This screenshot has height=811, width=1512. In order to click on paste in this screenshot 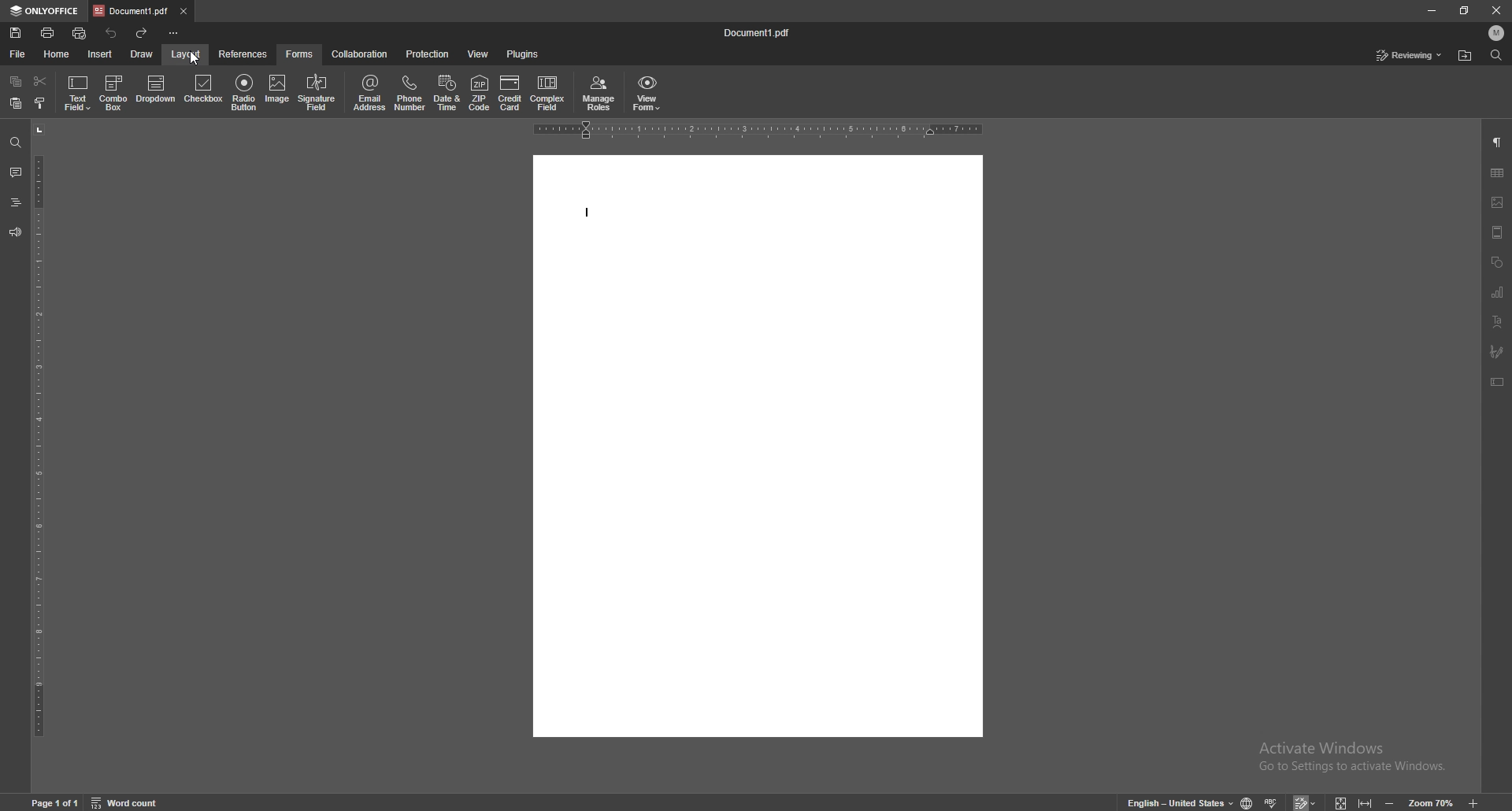, I will do `click(17, 103)`.